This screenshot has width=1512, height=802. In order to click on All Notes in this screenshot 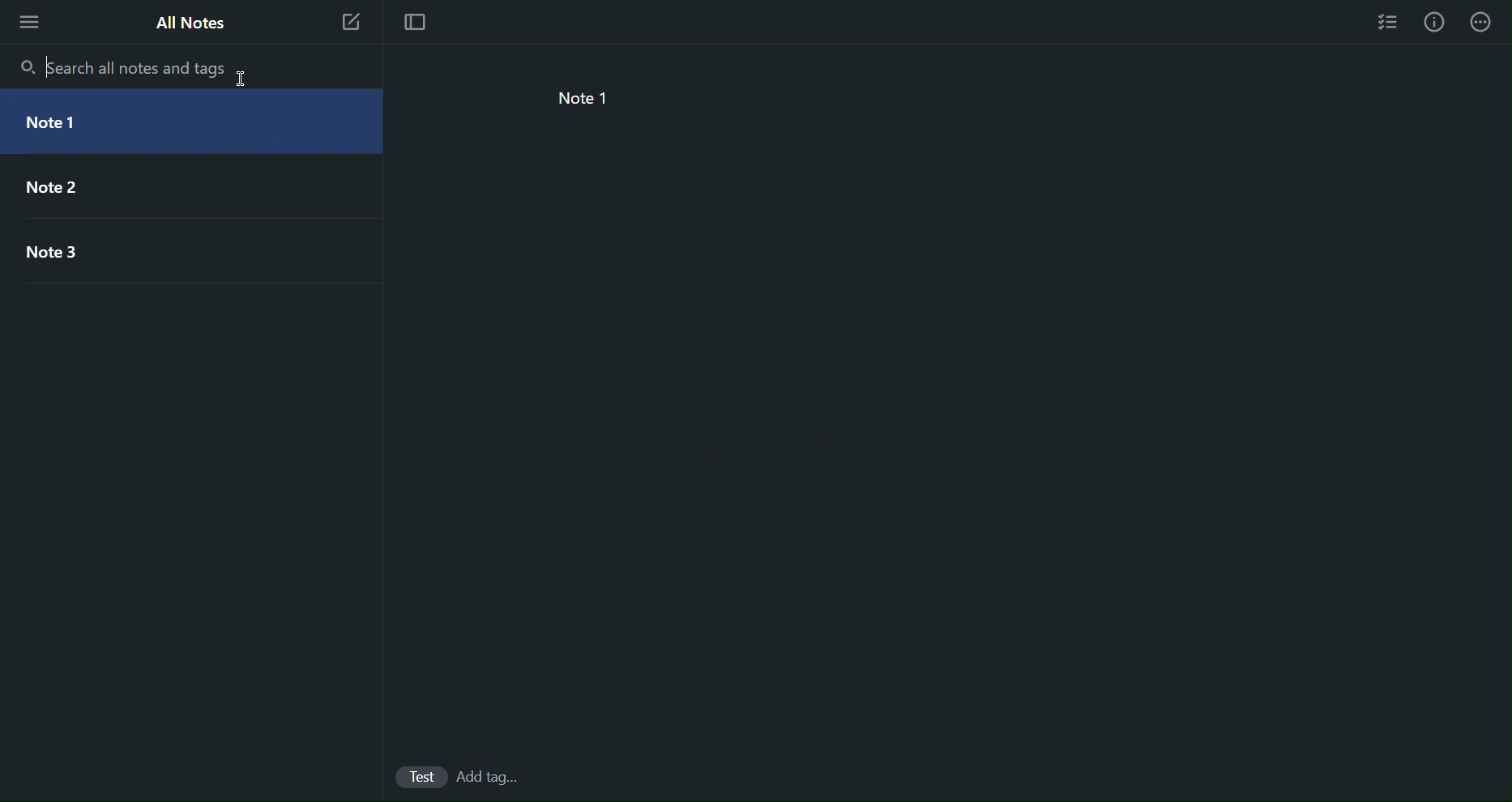, I will do `click(190, 21)`.